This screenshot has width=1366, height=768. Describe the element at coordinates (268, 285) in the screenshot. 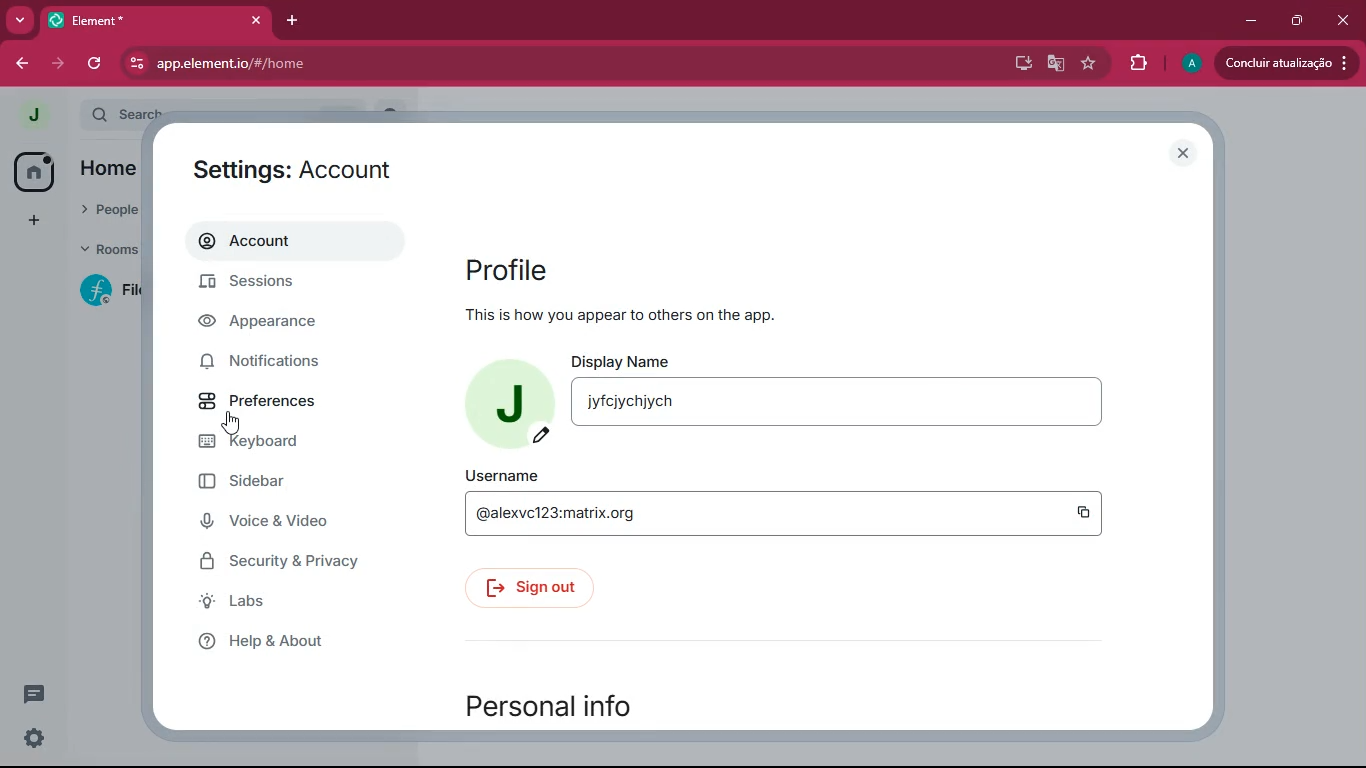

I see `sessions` at that location.